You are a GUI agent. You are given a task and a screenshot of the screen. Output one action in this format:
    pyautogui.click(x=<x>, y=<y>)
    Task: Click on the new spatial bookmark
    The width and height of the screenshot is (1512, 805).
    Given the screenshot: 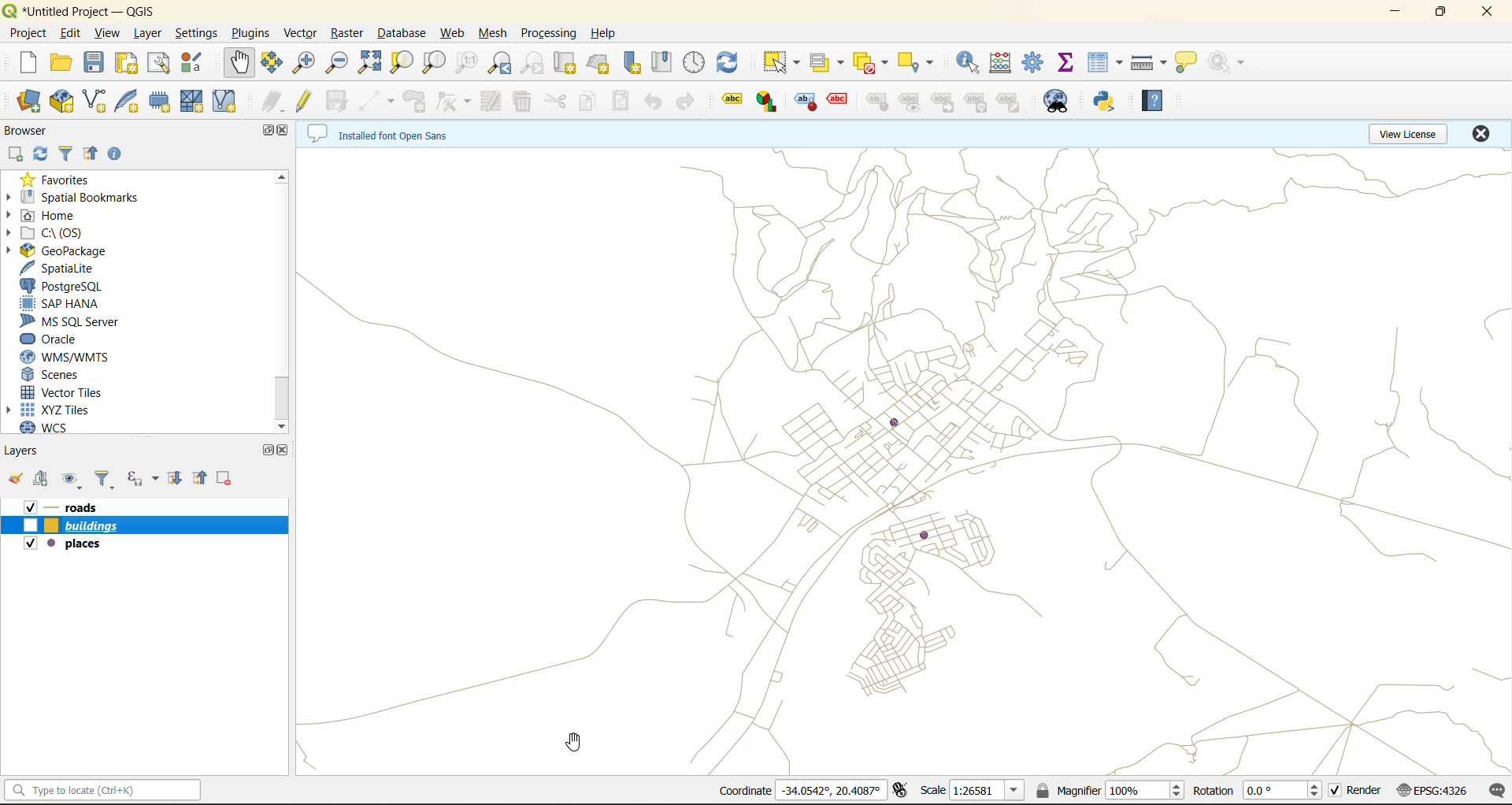 What is the action you would take?
    pyautogui.click(x=639, y=63)
    